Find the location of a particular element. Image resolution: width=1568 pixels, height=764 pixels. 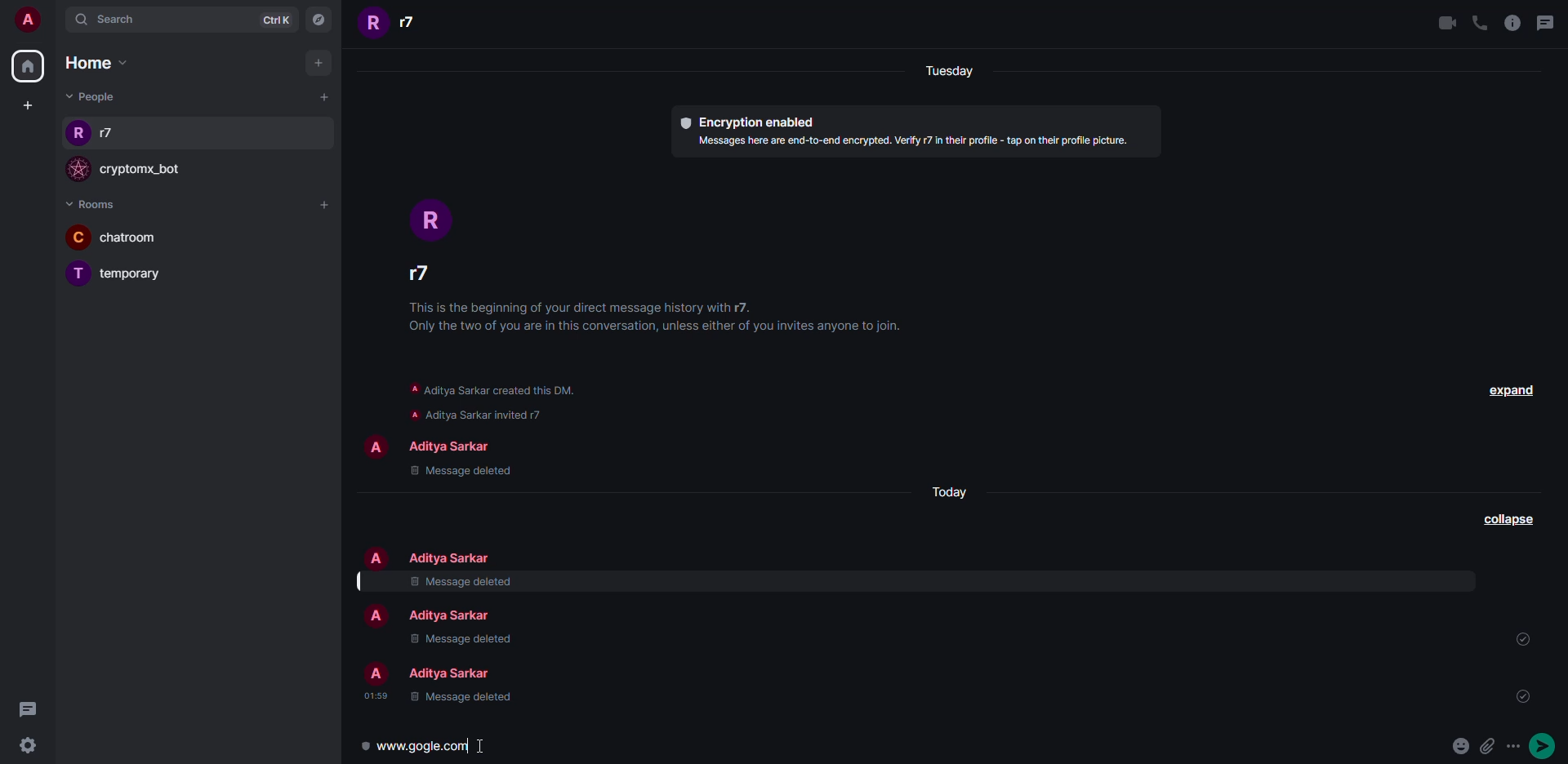

message deleted is located at coordinates (460, 472).